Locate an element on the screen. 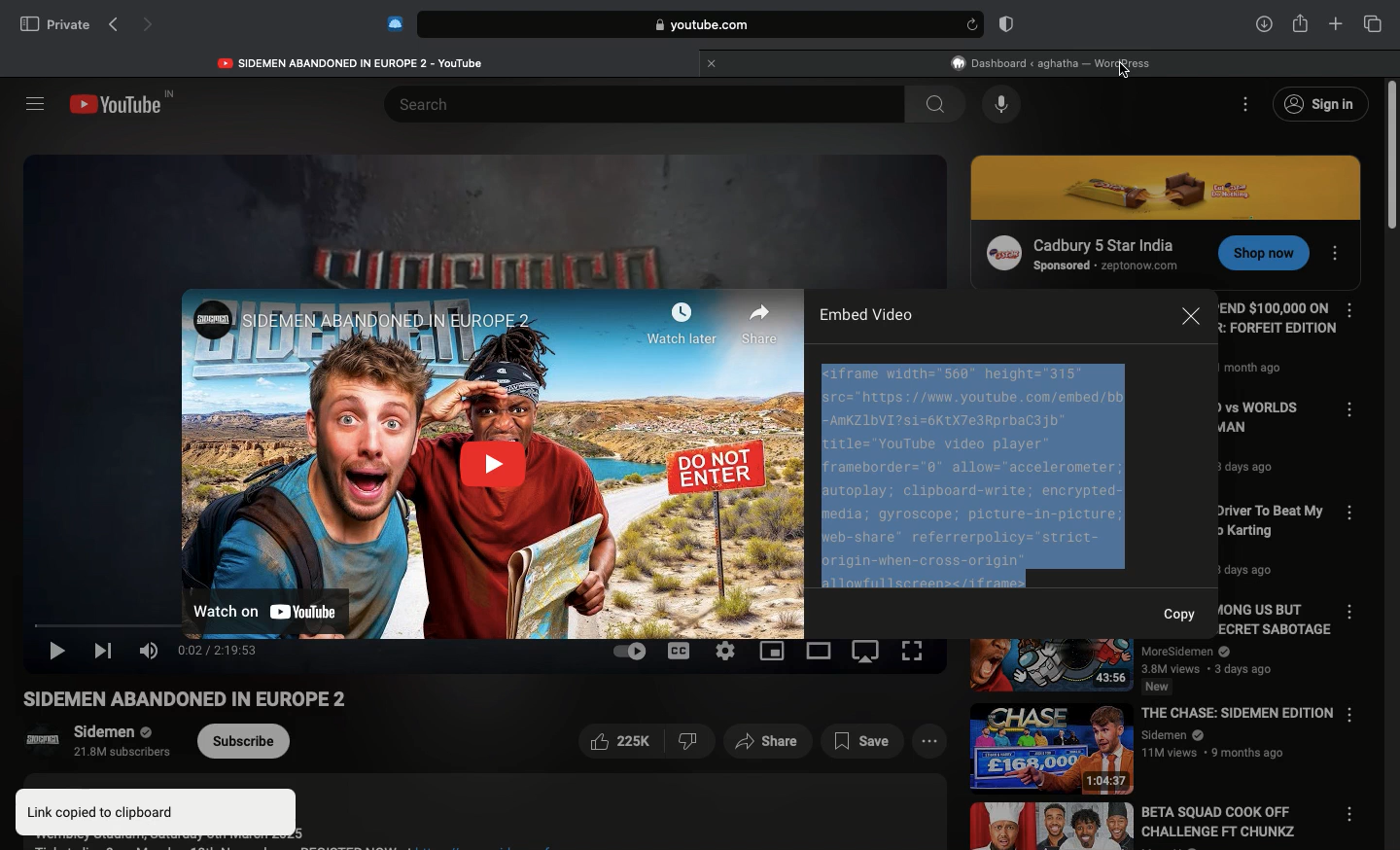 The image size is (1400, 850). Search bar is located at coordinates (626, 103).